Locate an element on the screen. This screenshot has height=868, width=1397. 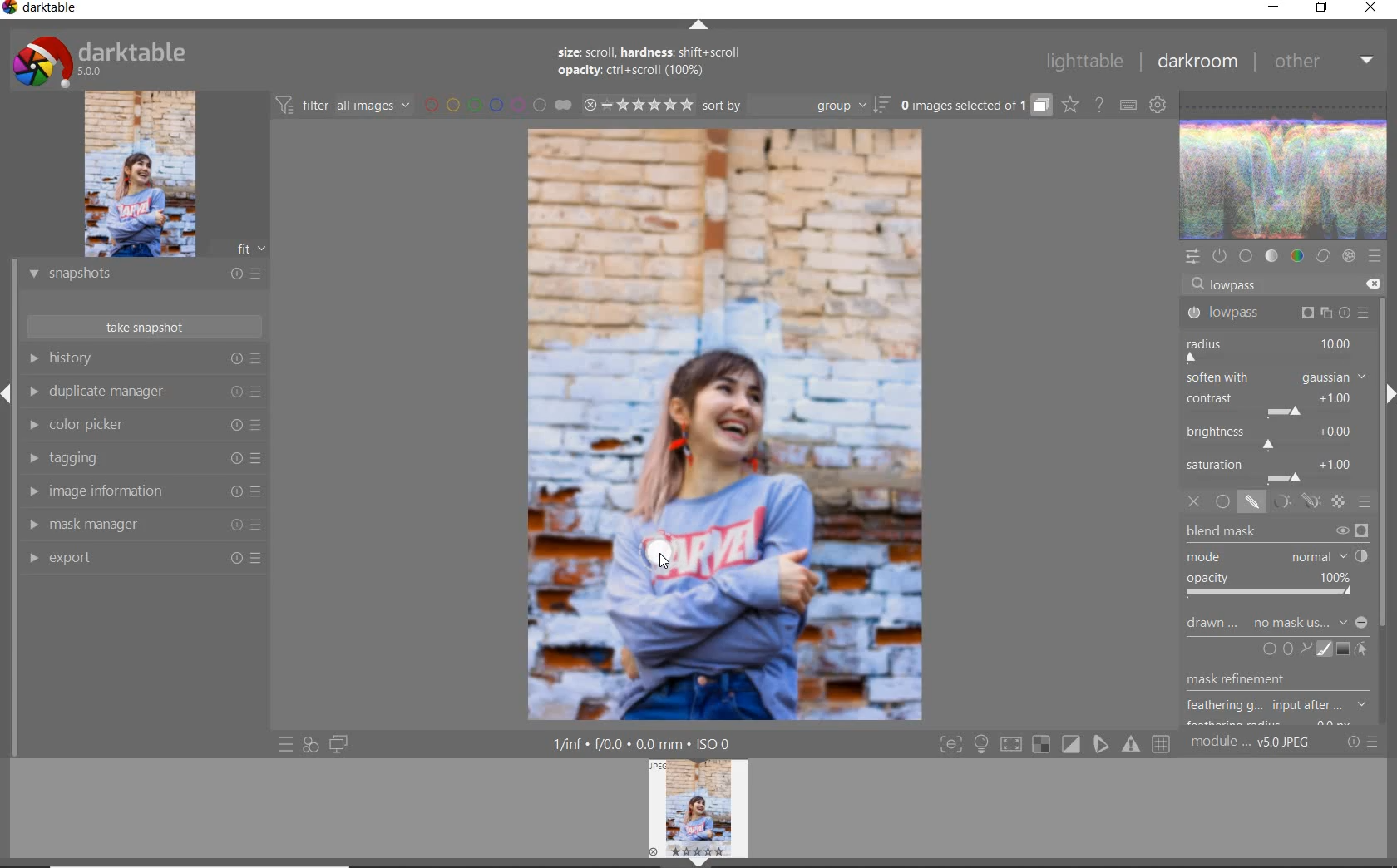
set keyboard shortcuts is located at coordinates (1127, 104).